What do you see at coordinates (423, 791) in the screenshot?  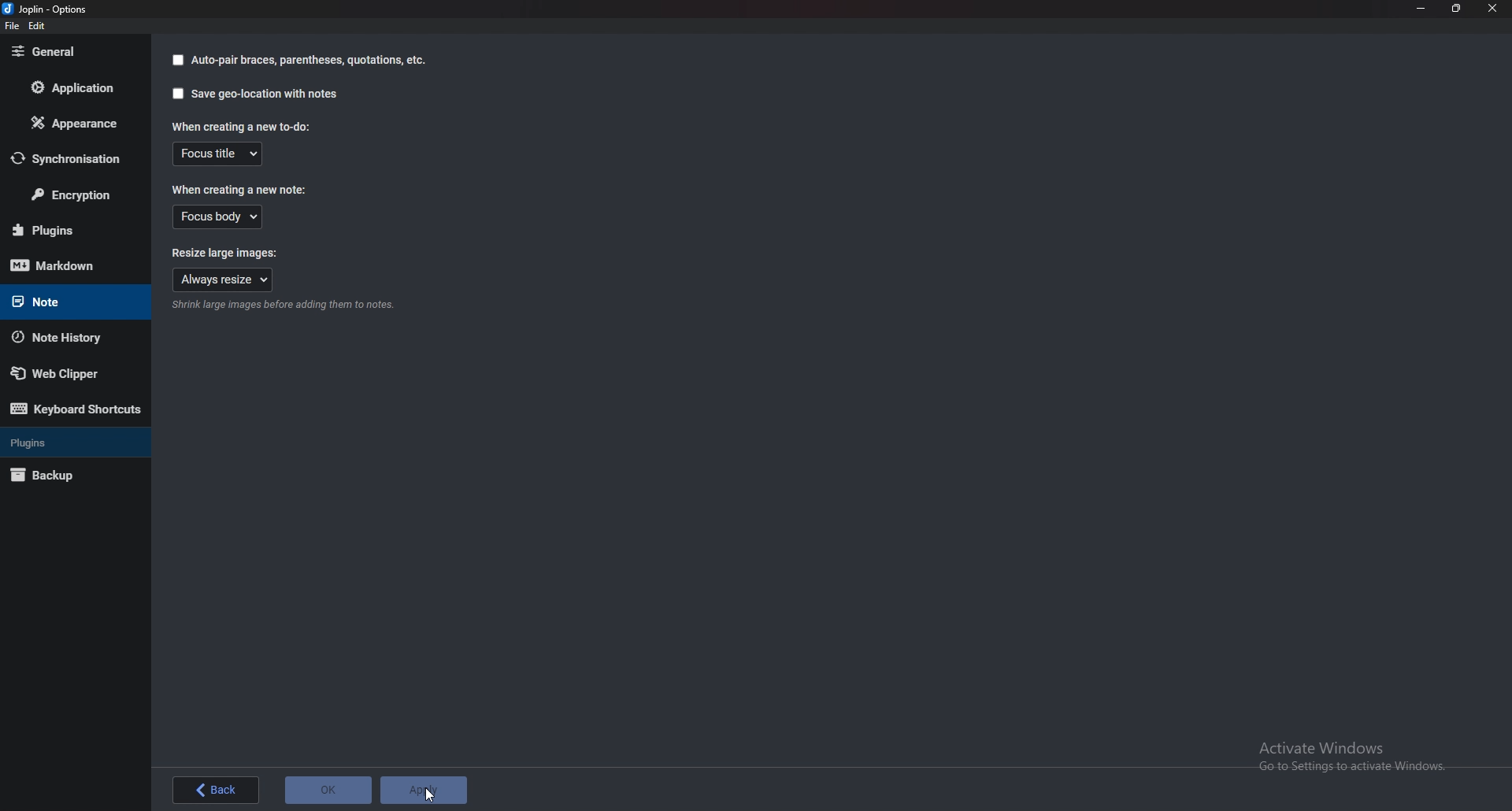 I see `Apply` at bounding box center [423, 791].